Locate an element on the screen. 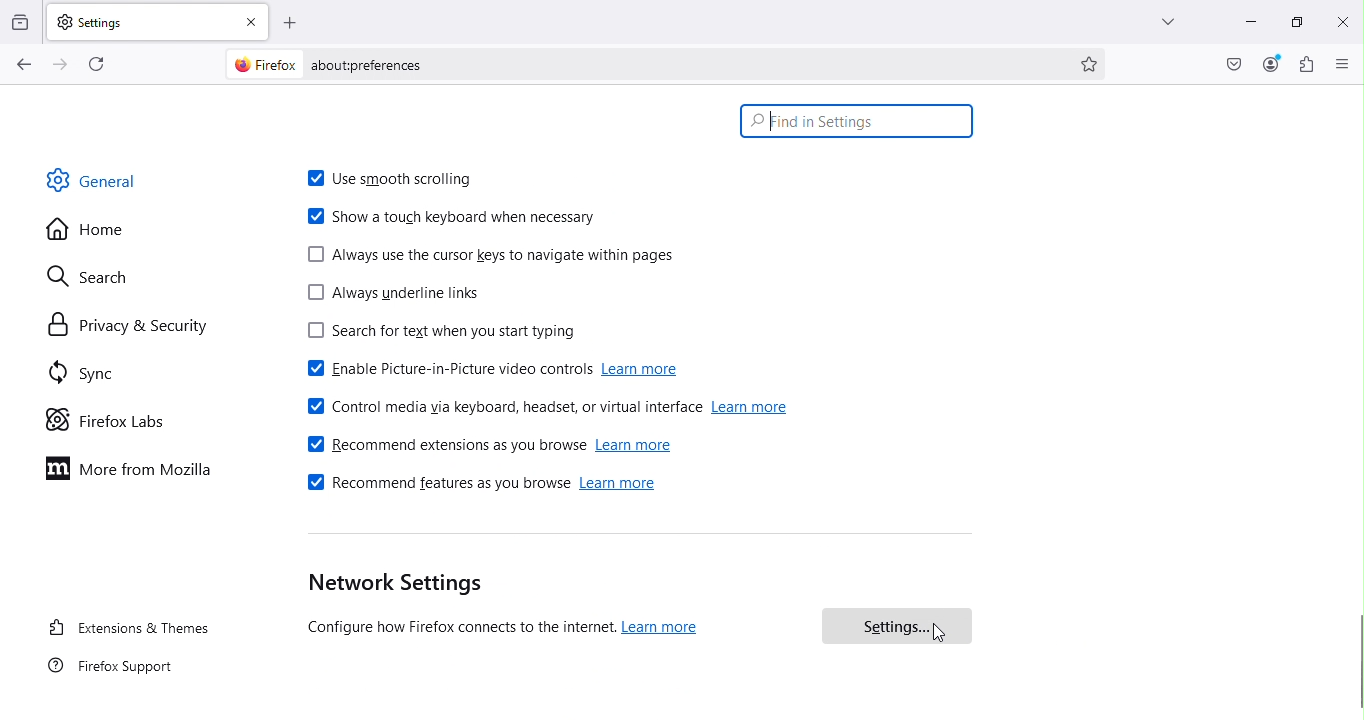 This screenshot has height=720, width=1364. Show a touch keyboard when necessary is located at coordinates (454, 218).